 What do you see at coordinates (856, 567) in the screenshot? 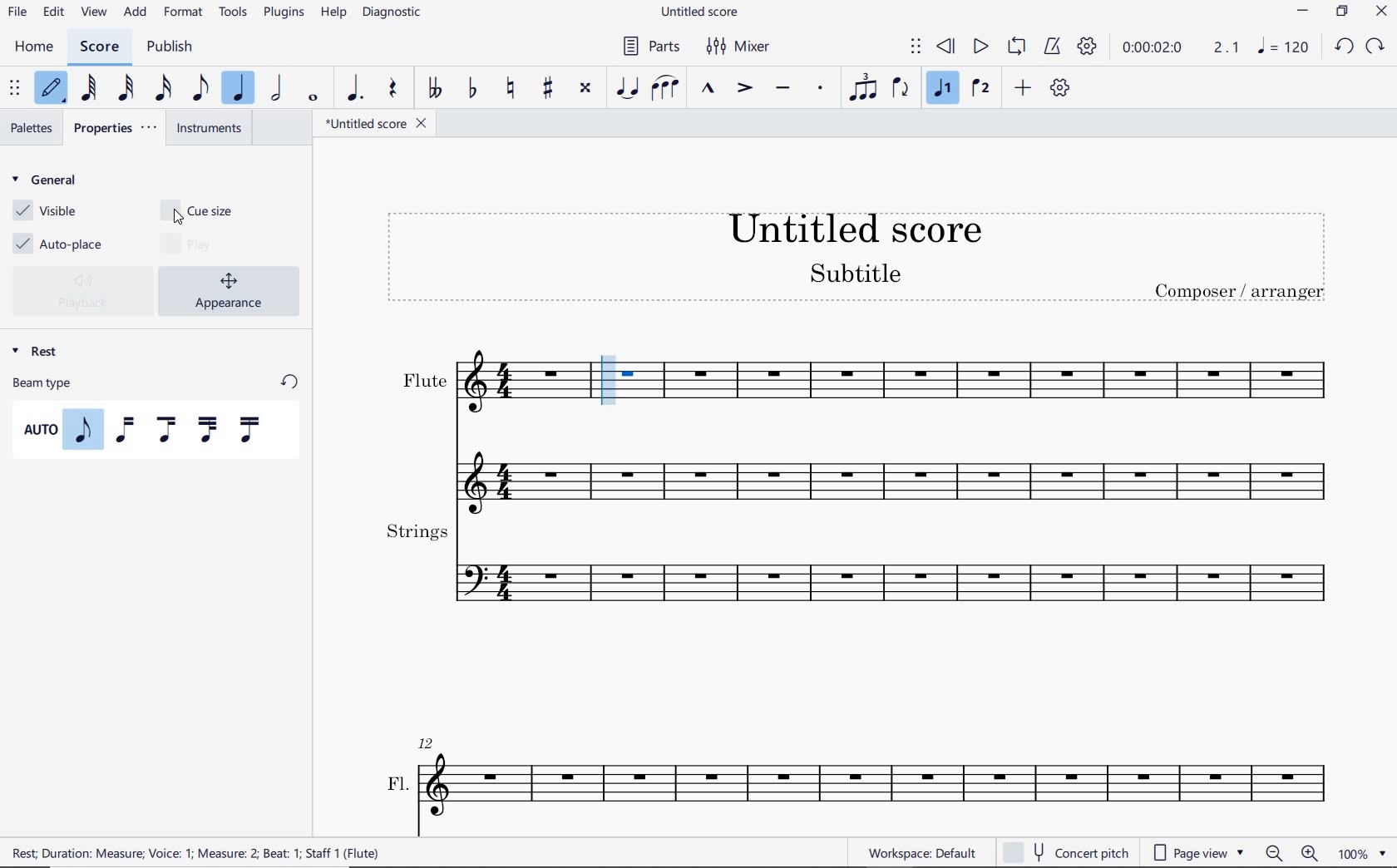
I see `strings` at bounding box center [856, 567].